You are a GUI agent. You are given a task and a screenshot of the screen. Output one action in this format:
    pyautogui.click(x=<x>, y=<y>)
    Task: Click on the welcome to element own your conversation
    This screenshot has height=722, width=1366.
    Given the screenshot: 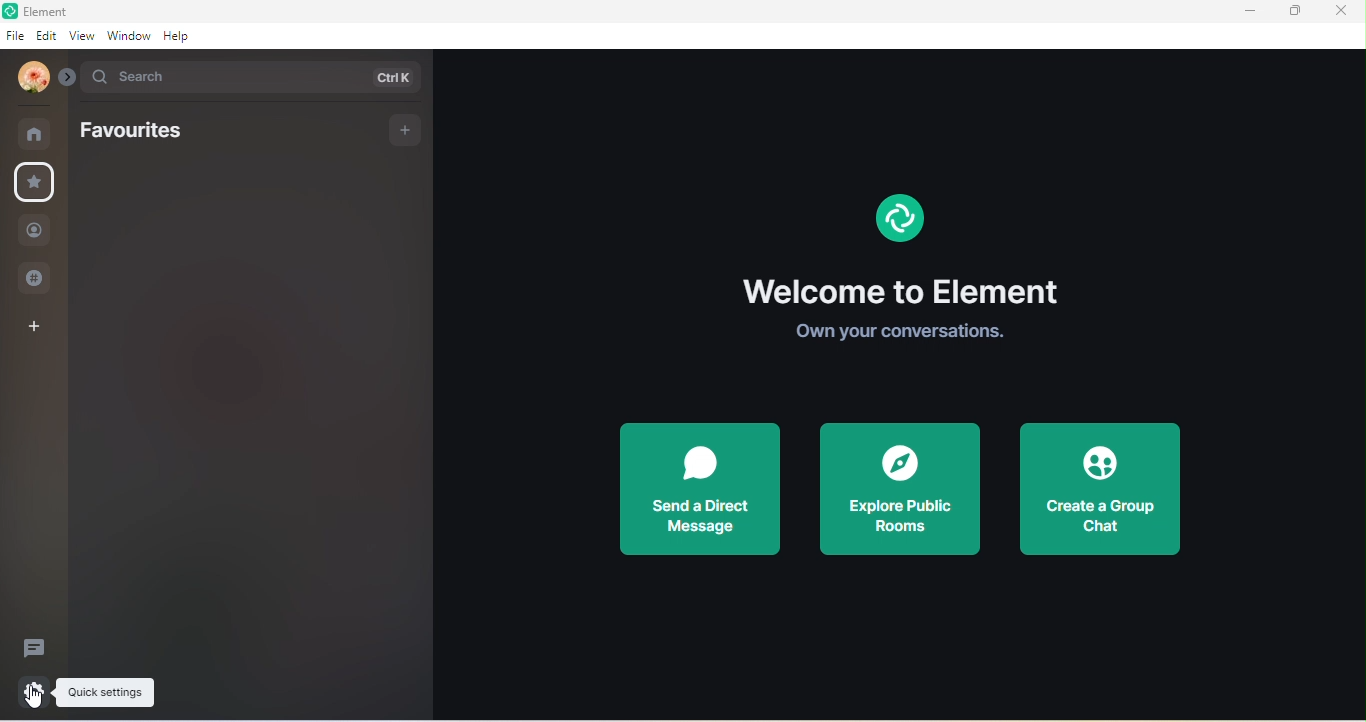 What is the action you would take?
    pyautogui.click(x=910, y=307)
    